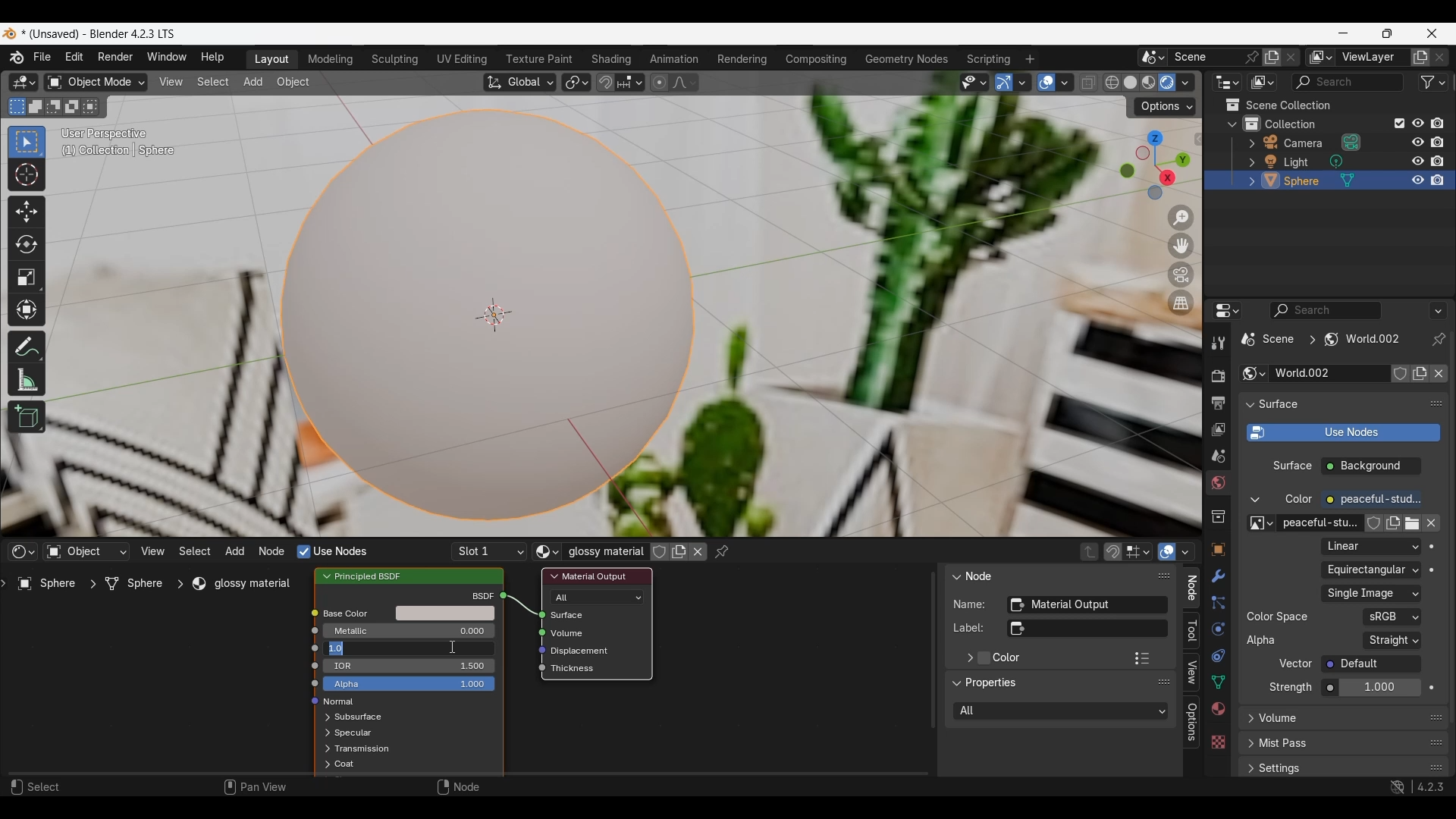 The height and width of the screenshot is (819, 1456). I want to click on bscf, so click(480, 595).